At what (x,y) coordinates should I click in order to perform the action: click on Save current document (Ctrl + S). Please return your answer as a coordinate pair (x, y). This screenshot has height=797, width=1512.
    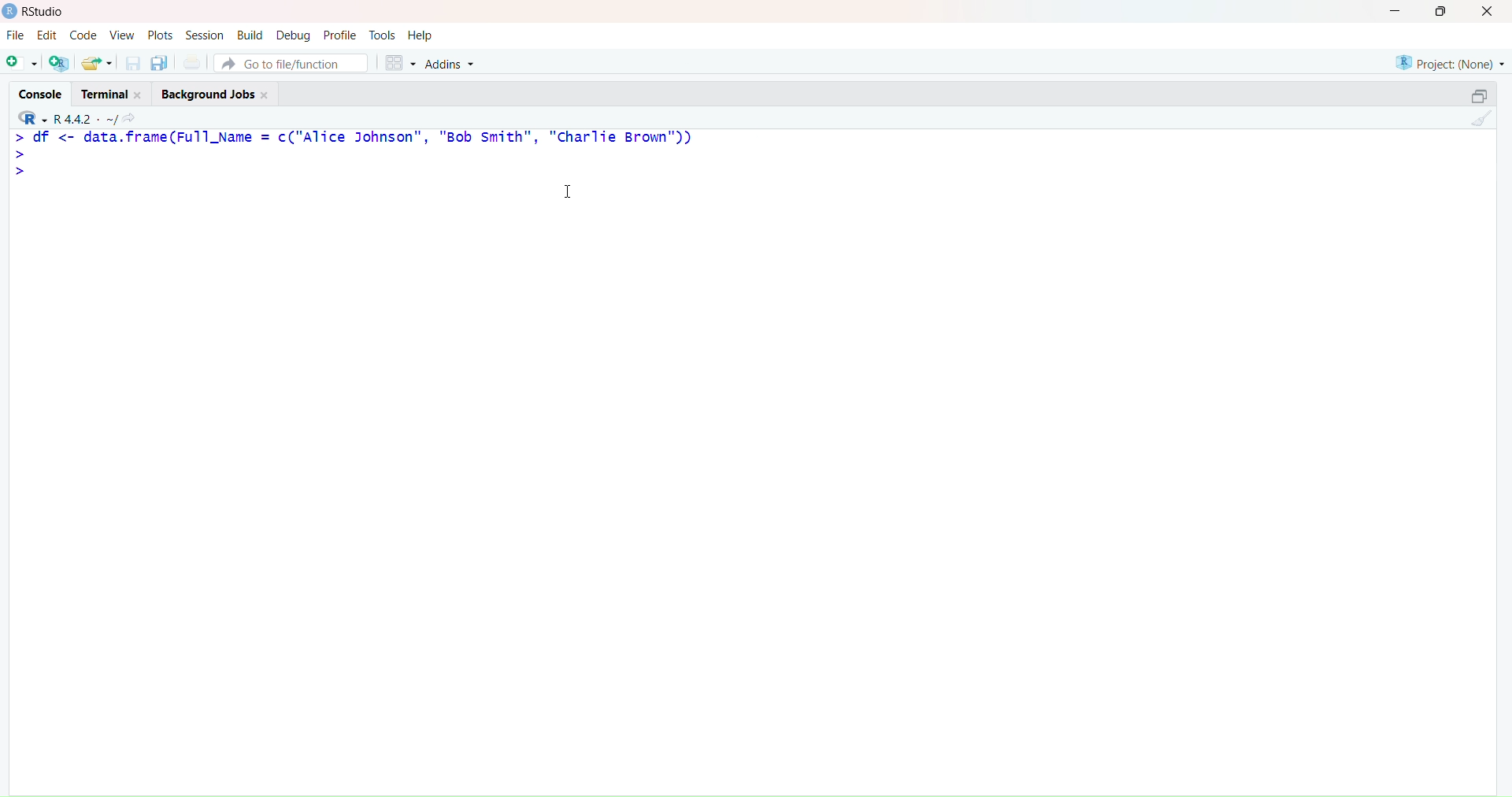
    Looking at the image, I should click on (132, 64).